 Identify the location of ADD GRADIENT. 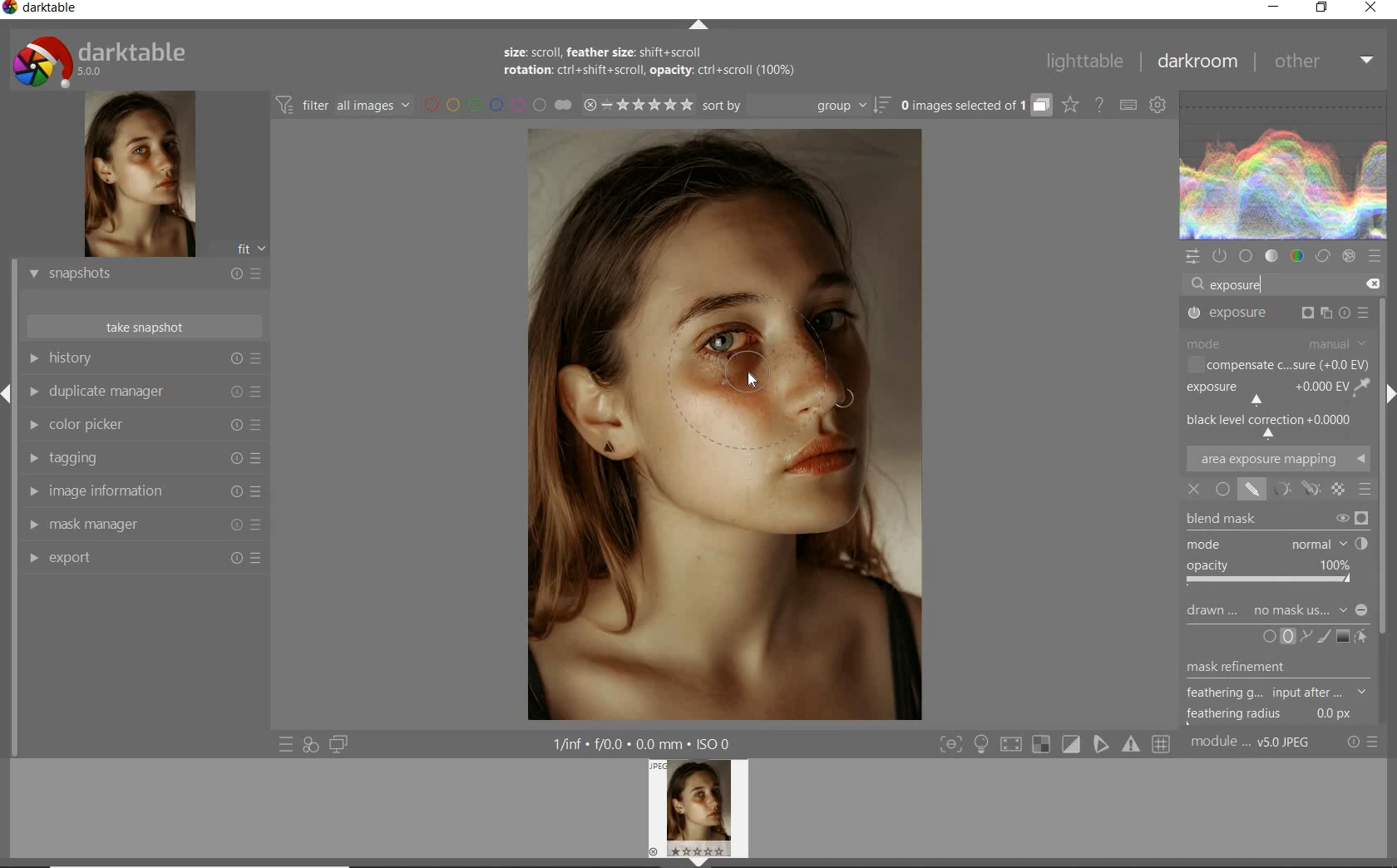
(1342, 635).